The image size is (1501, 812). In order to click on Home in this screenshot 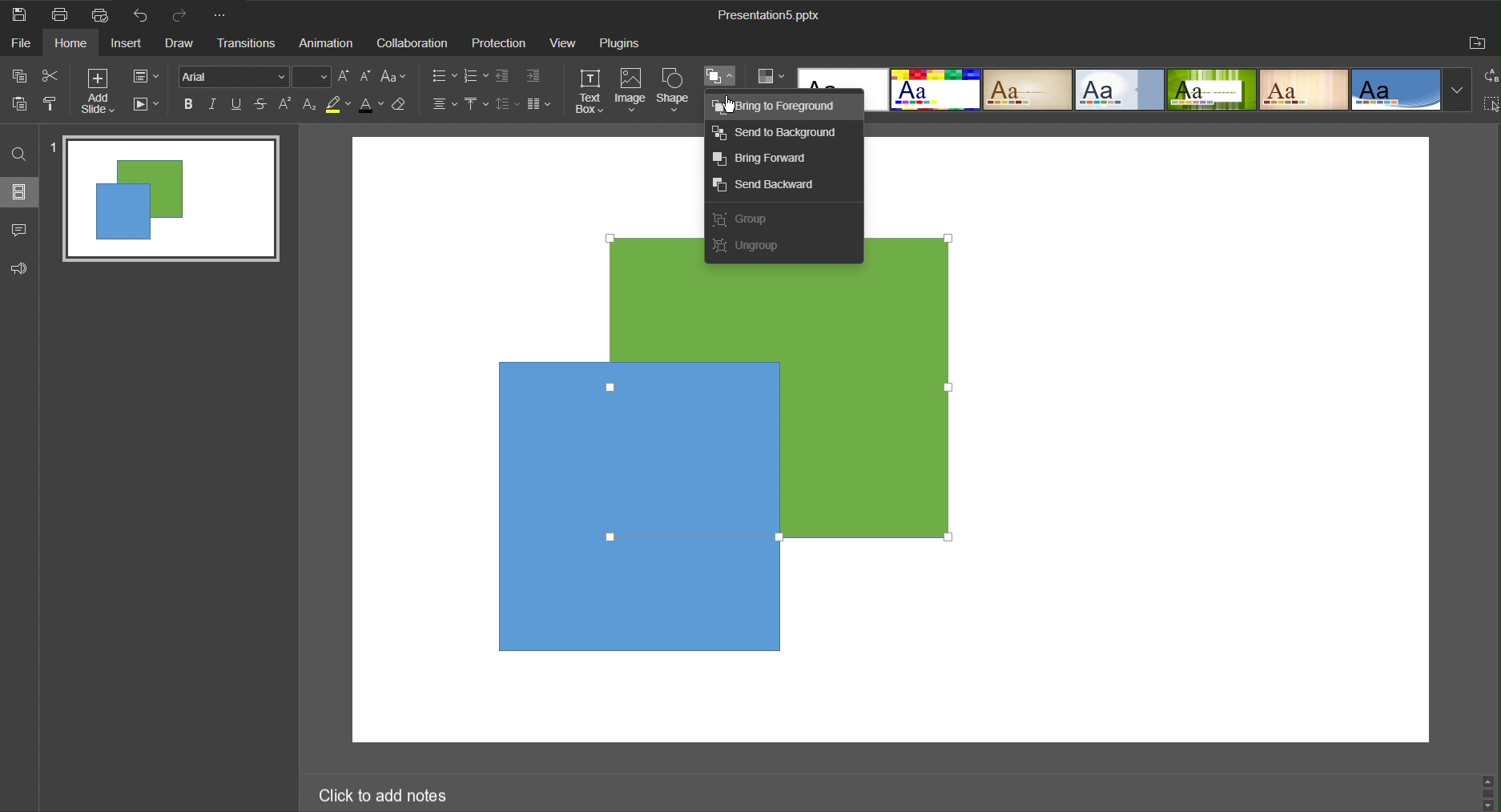, I will do `click(74, 43)`.